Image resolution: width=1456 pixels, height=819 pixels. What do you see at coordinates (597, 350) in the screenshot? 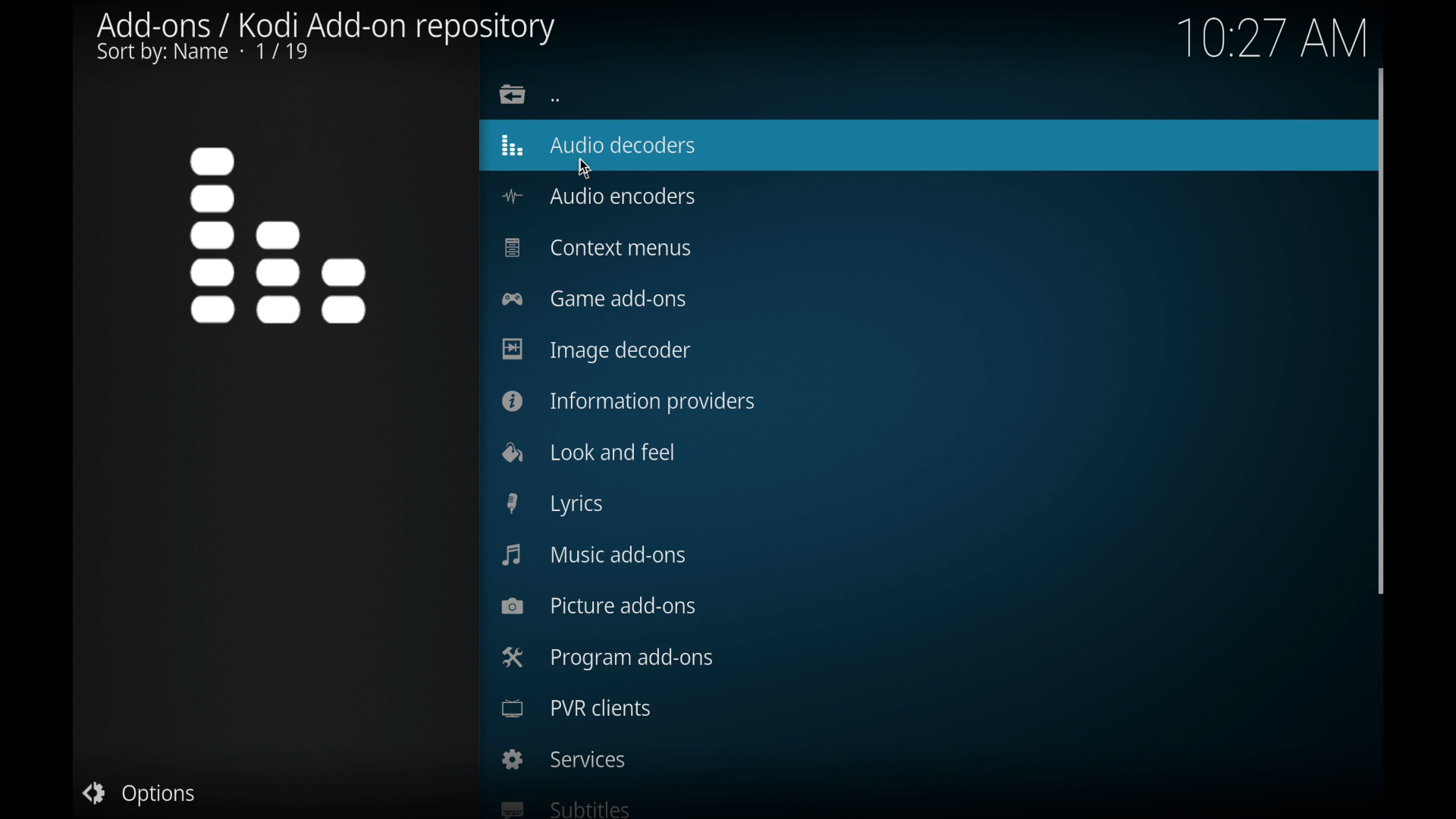
I see `image decoder` at bounding box center [597, 350].